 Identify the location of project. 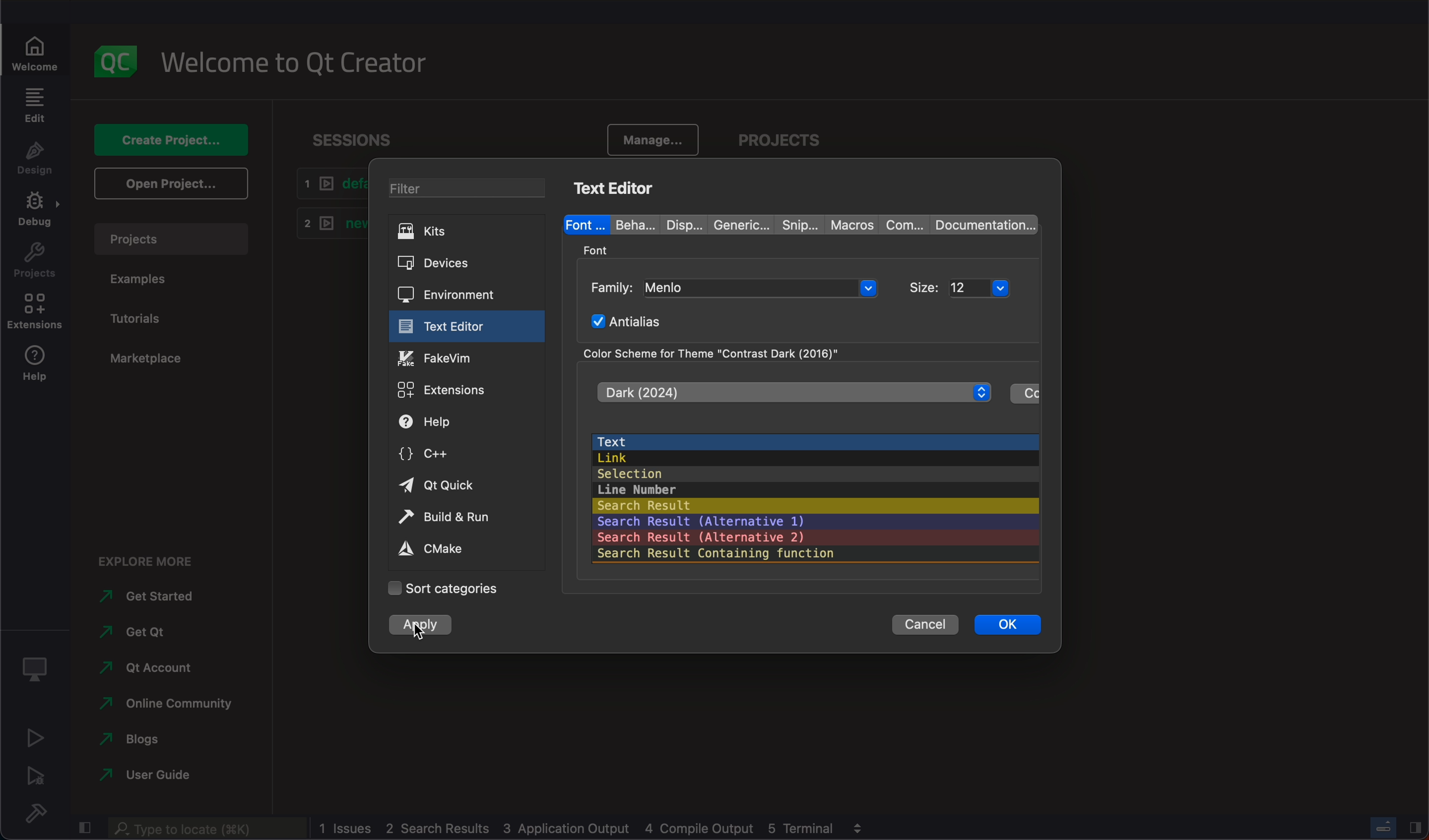
(790, 137).